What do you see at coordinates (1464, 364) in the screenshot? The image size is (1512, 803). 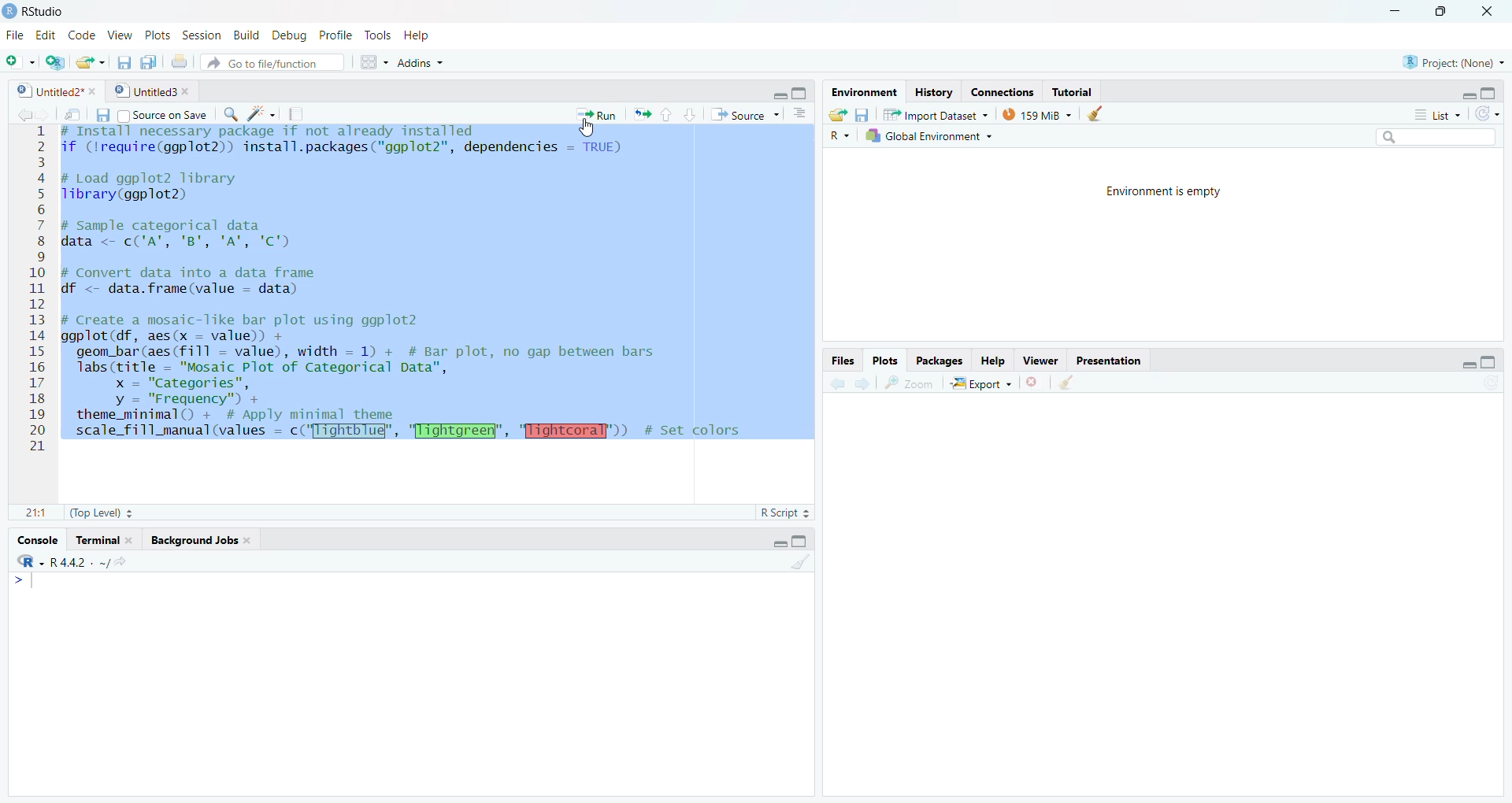 I see `Minimize` at bounding box center [1464, 364].